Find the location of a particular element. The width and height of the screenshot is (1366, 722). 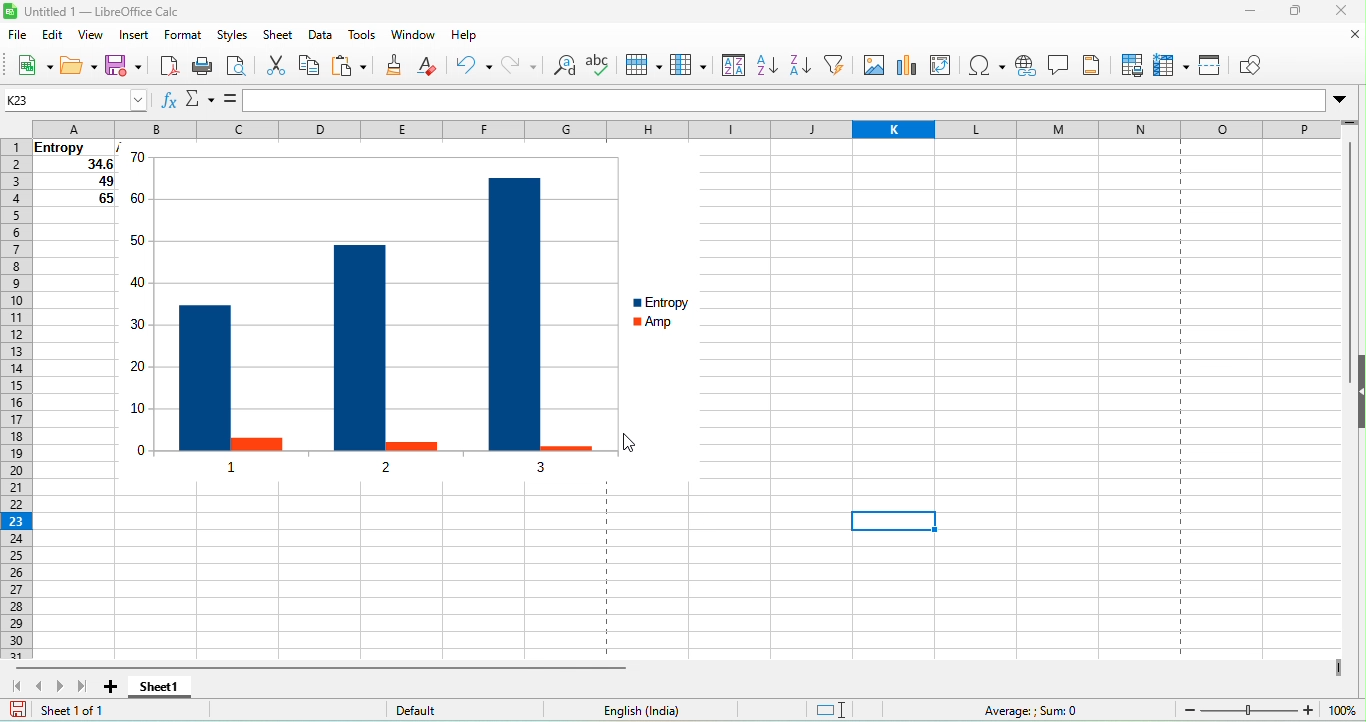

show draw function is located at coordinates (1253, 67).